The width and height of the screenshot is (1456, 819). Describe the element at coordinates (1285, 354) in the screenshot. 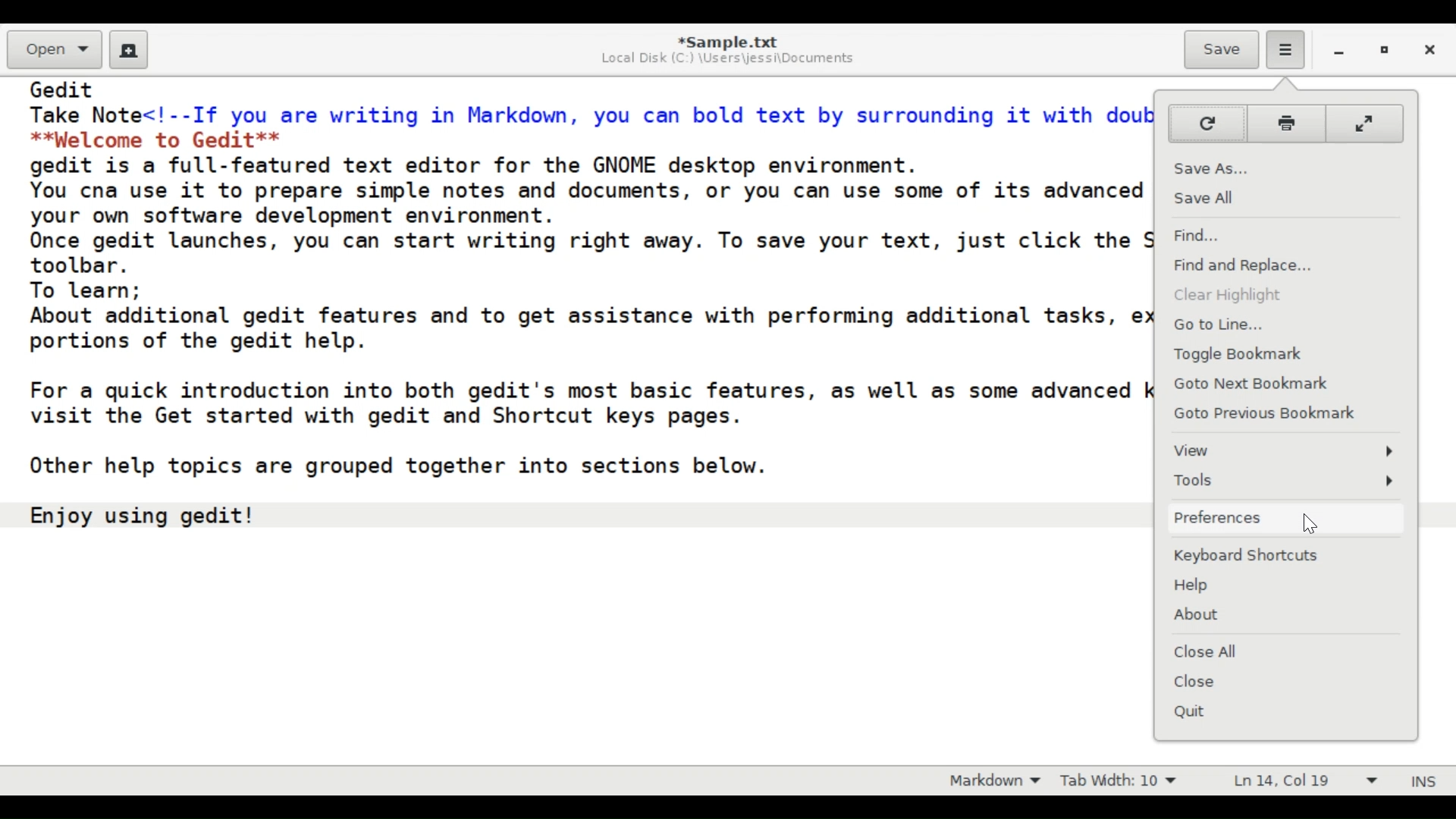

I see `Toggle Bookmark` at that location.